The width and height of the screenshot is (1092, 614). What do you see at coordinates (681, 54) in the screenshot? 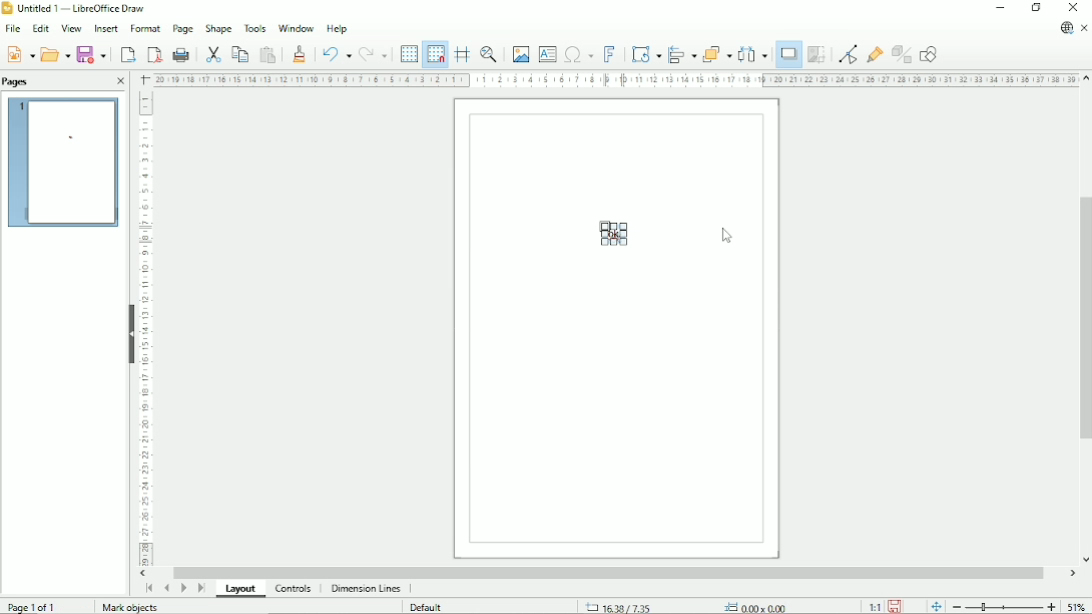
I see `Align objects` at bounding box center [681, 54].